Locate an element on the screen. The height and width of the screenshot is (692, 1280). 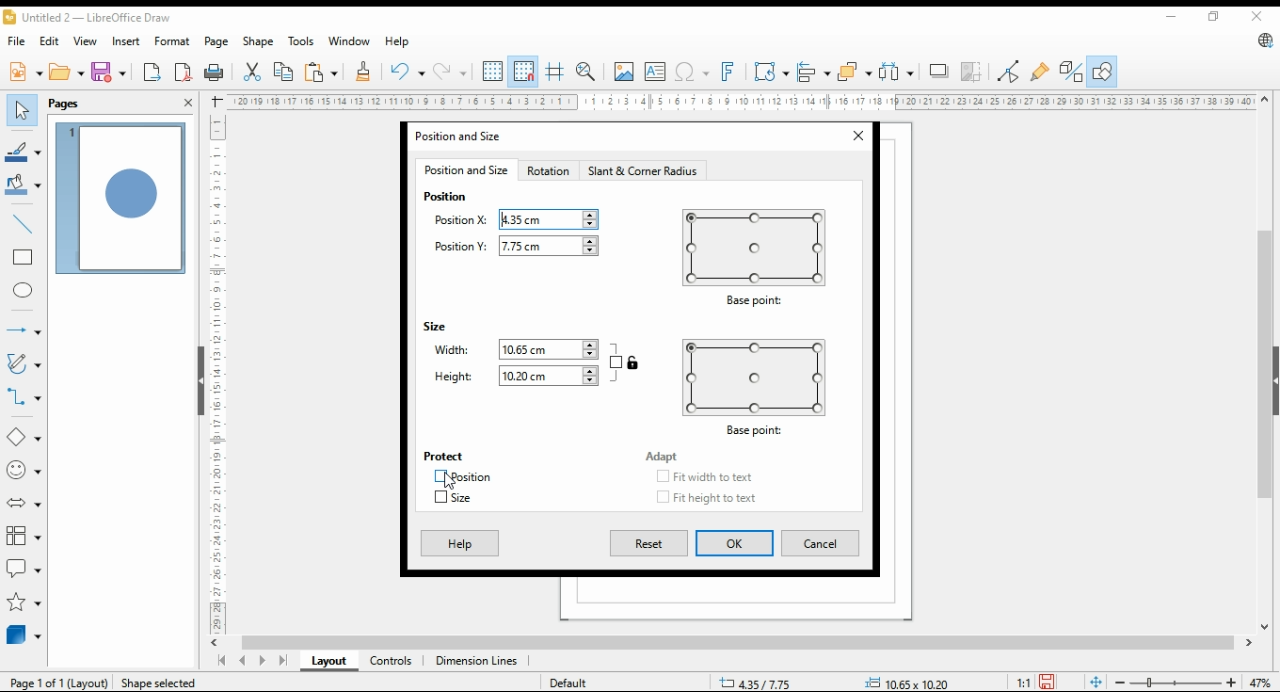
crop is located at coordinates (972, 72).